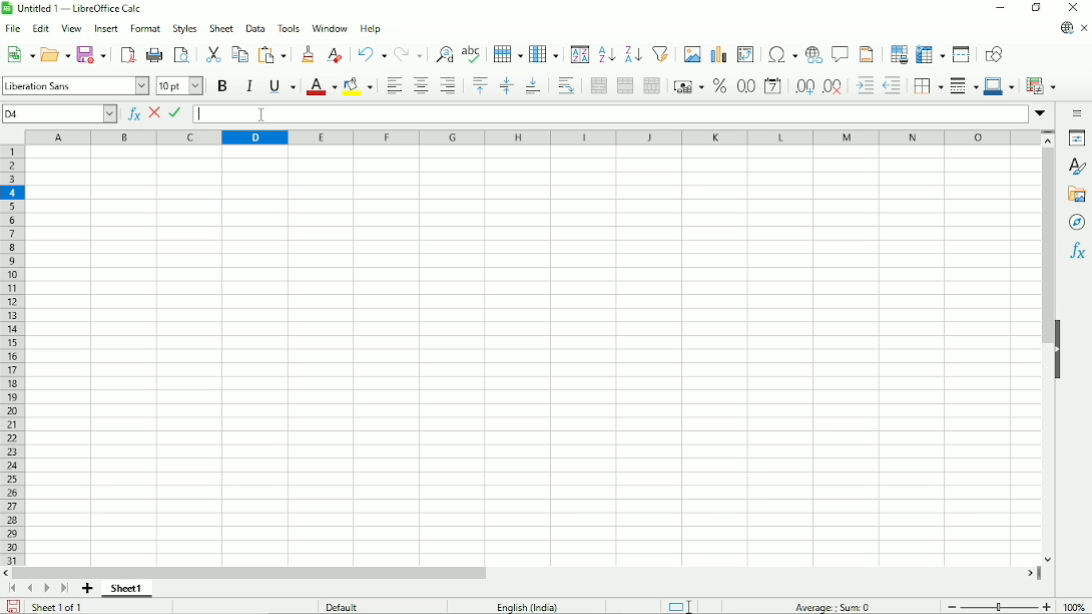  I want to click on Add sheet, so click(88, 588).